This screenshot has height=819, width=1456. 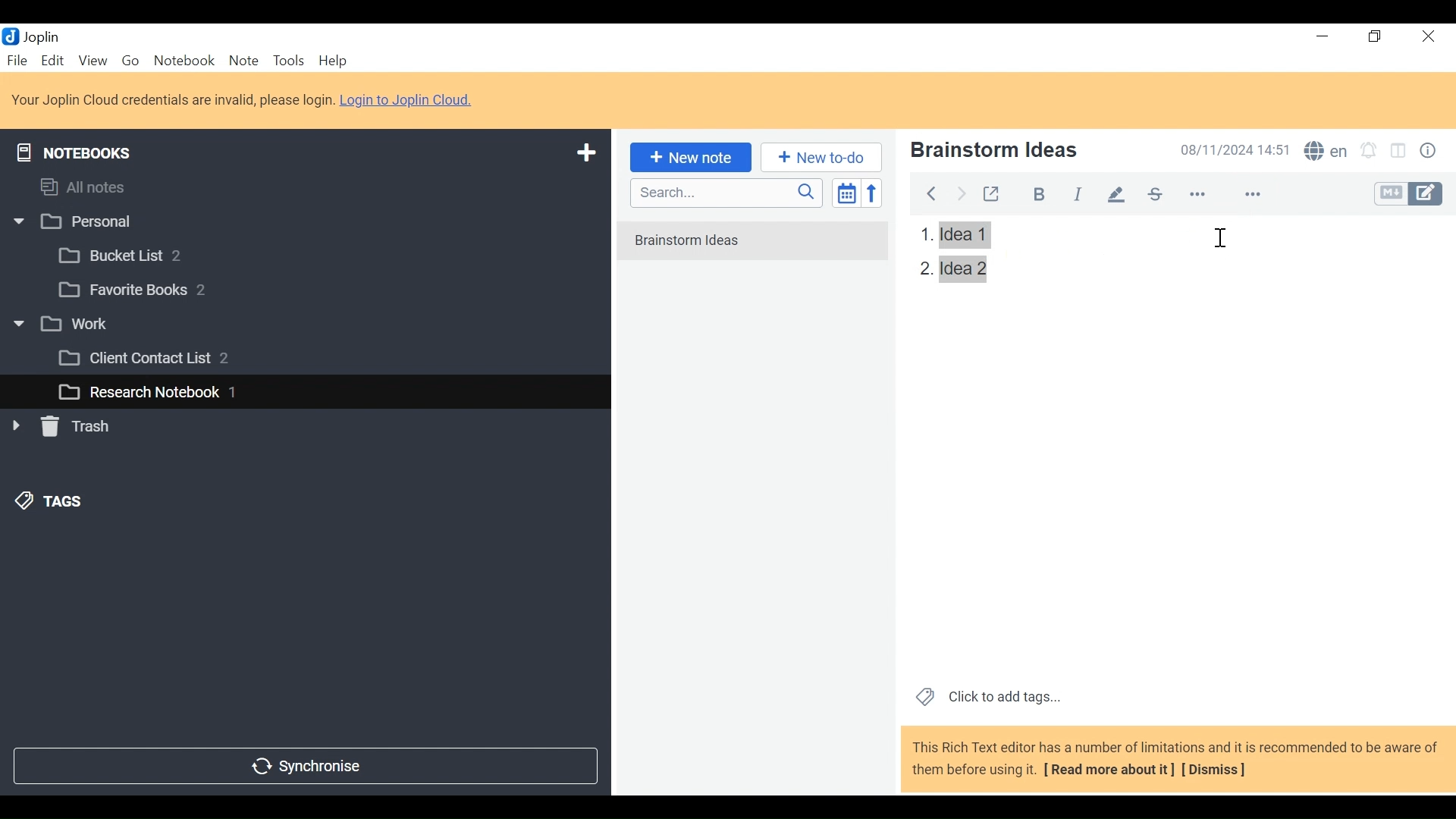 I want to click on italiac, so click(x=1079, y=190).